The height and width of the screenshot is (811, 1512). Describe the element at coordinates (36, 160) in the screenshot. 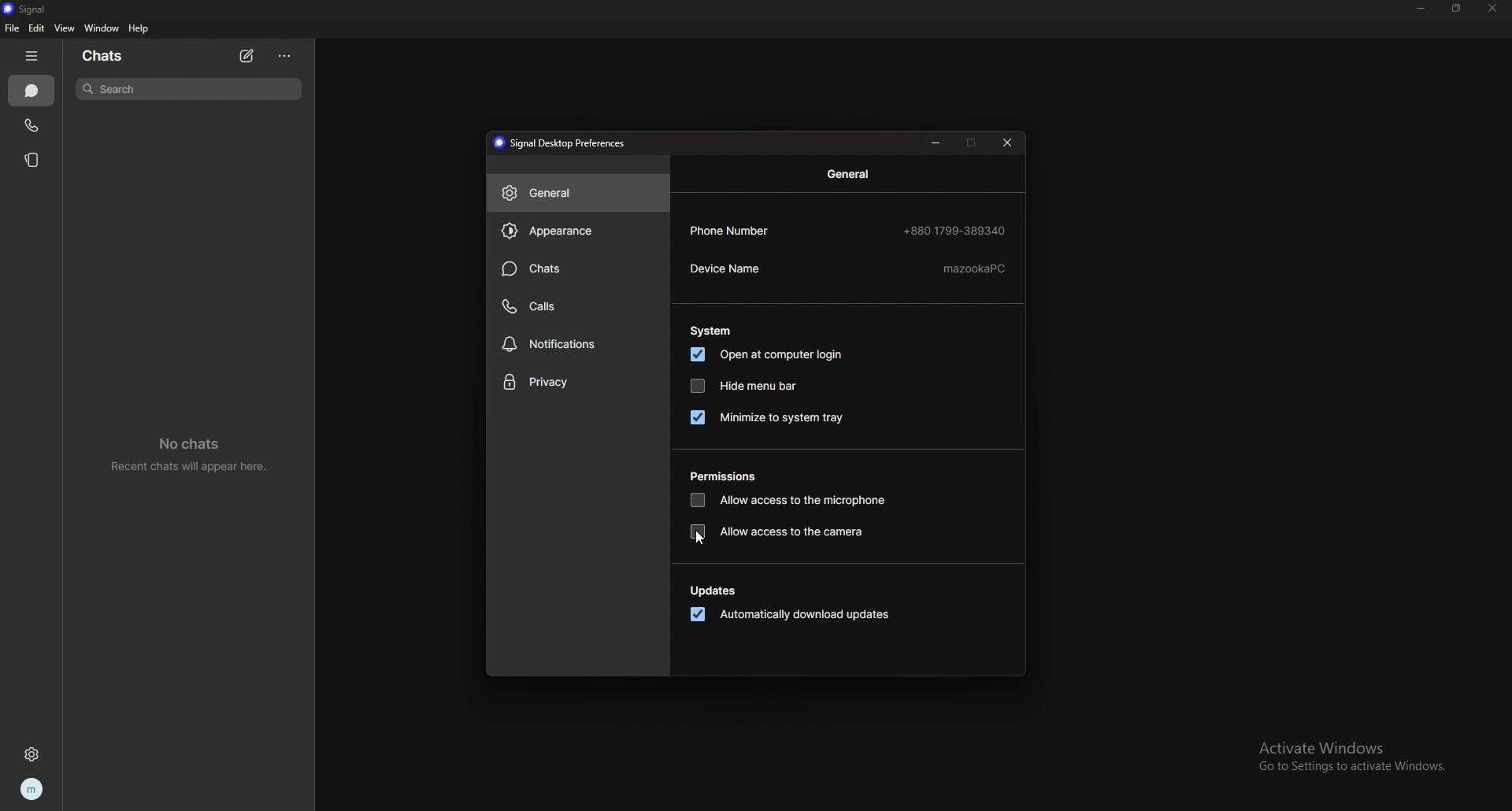

I see `stories` at that location.